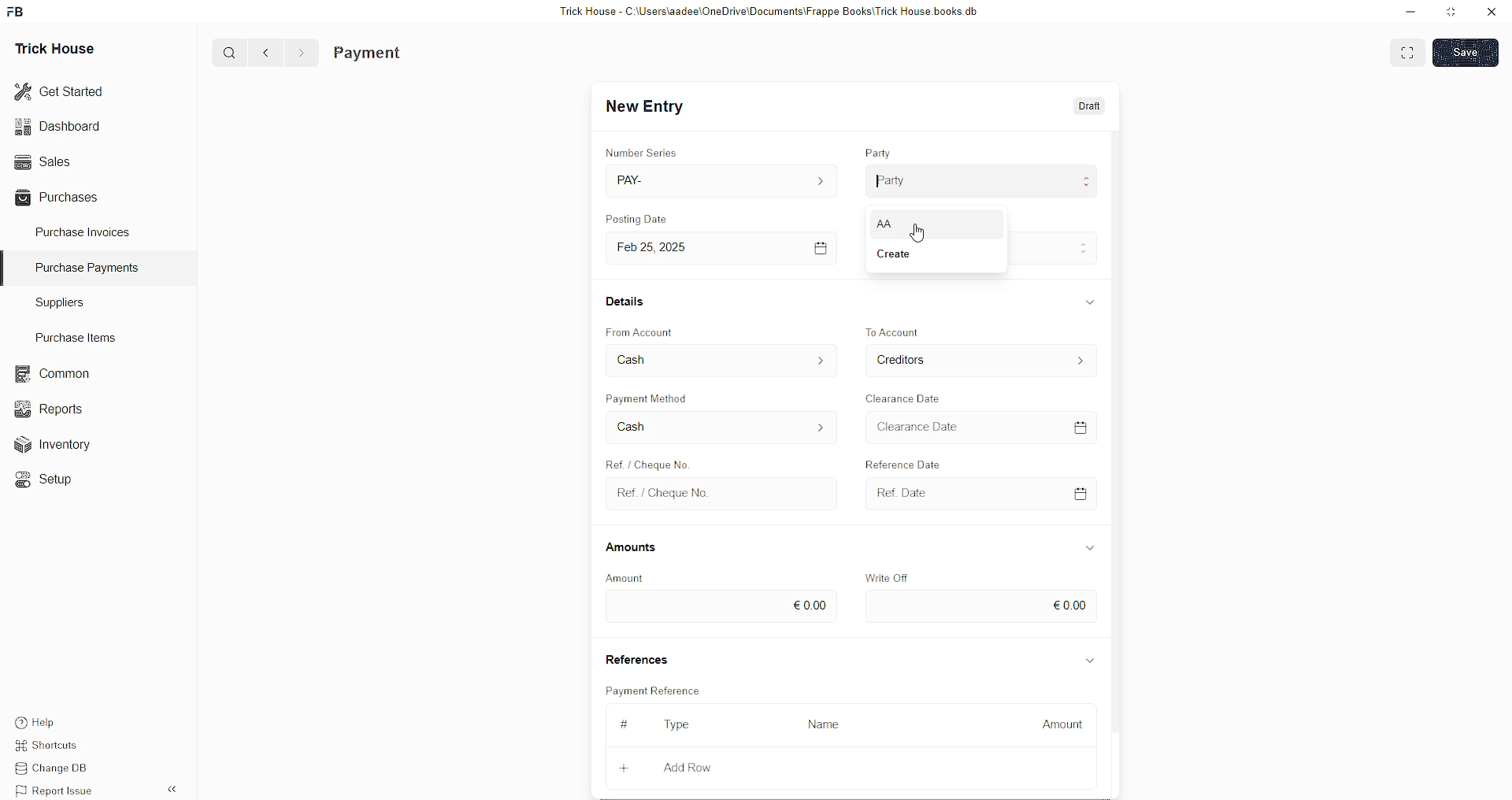 Image resolution: width=1512 pixels, height=800 pixels. What do you see at coordinates (59, 720) in the screenshot?
I see ` Help` at bounding box center [59, 720].